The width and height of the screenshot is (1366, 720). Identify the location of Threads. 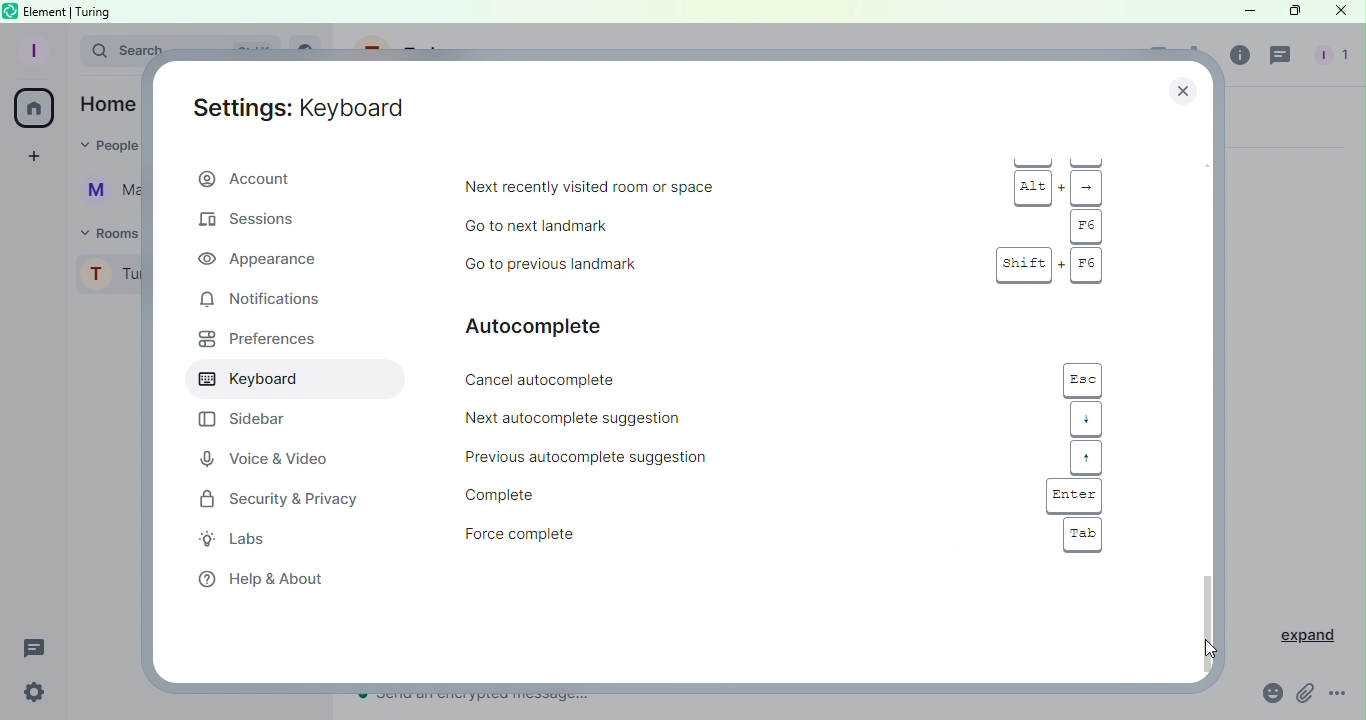
(38, 650).